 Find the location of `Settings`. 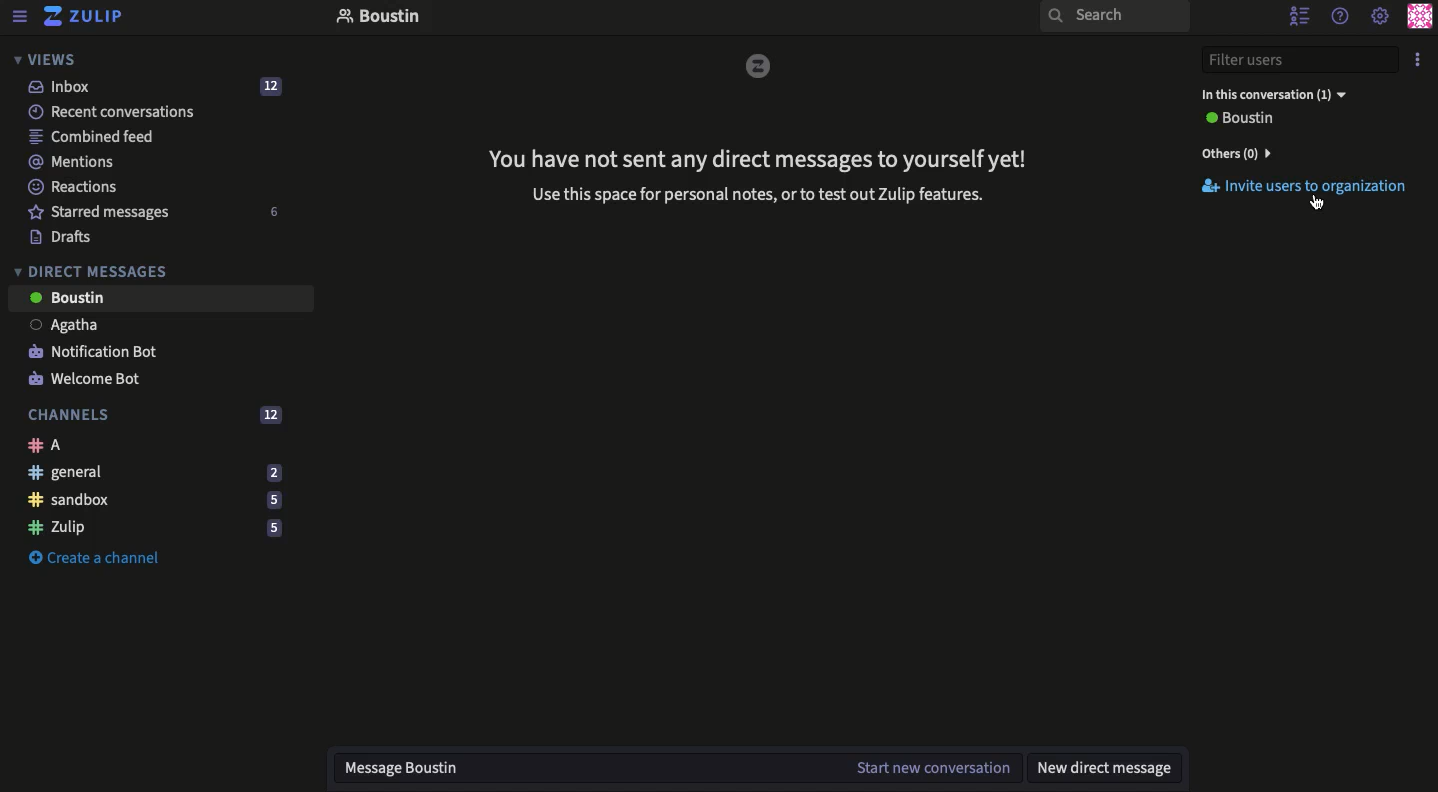

Settings is located at coordinates (1380, 17).